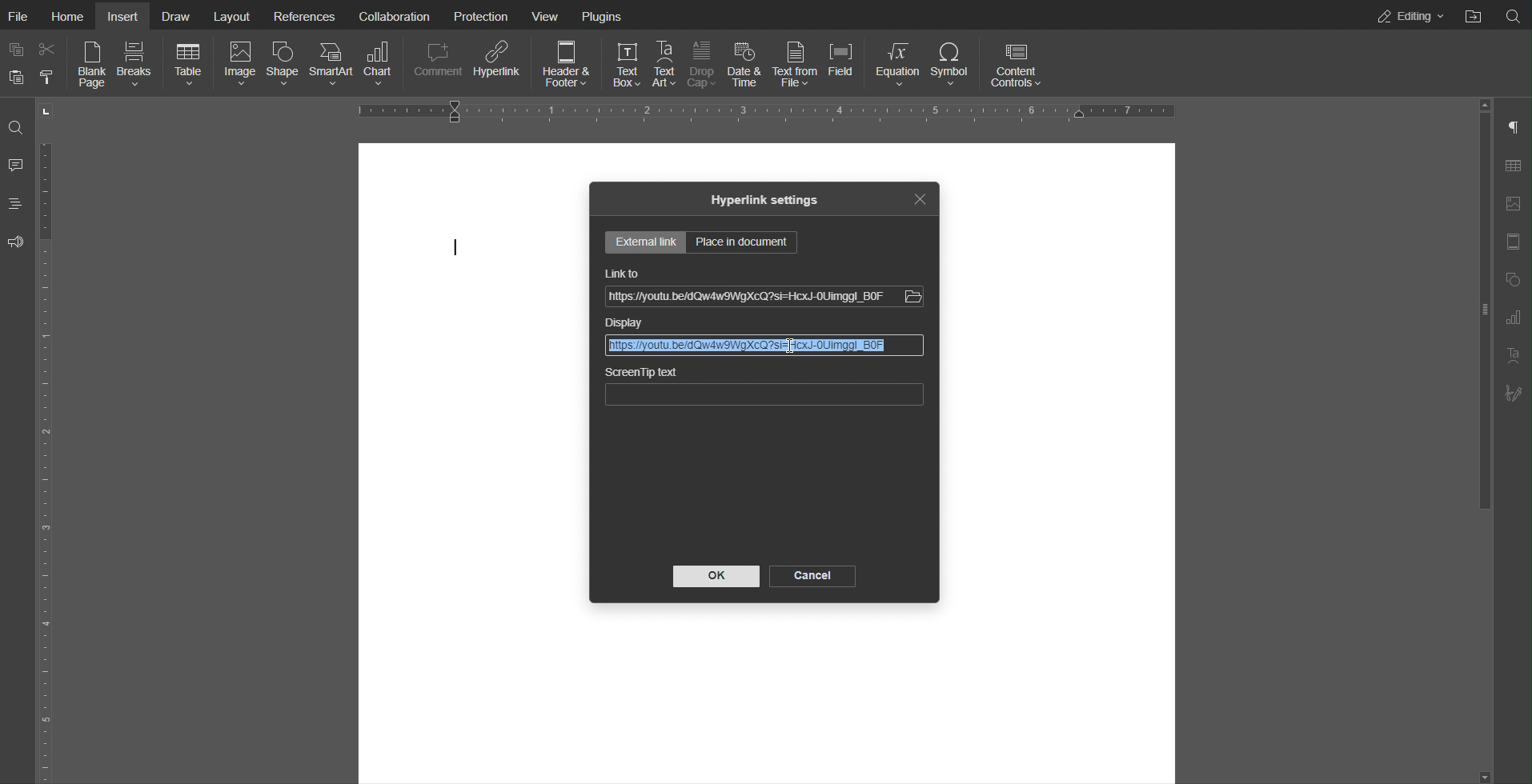 Image resolution: width=1532 pixels, height=784 pixels. What do you see at coordinates (626, 324) in the screenshot?
I see `Display` at bounding box center [626, 324].